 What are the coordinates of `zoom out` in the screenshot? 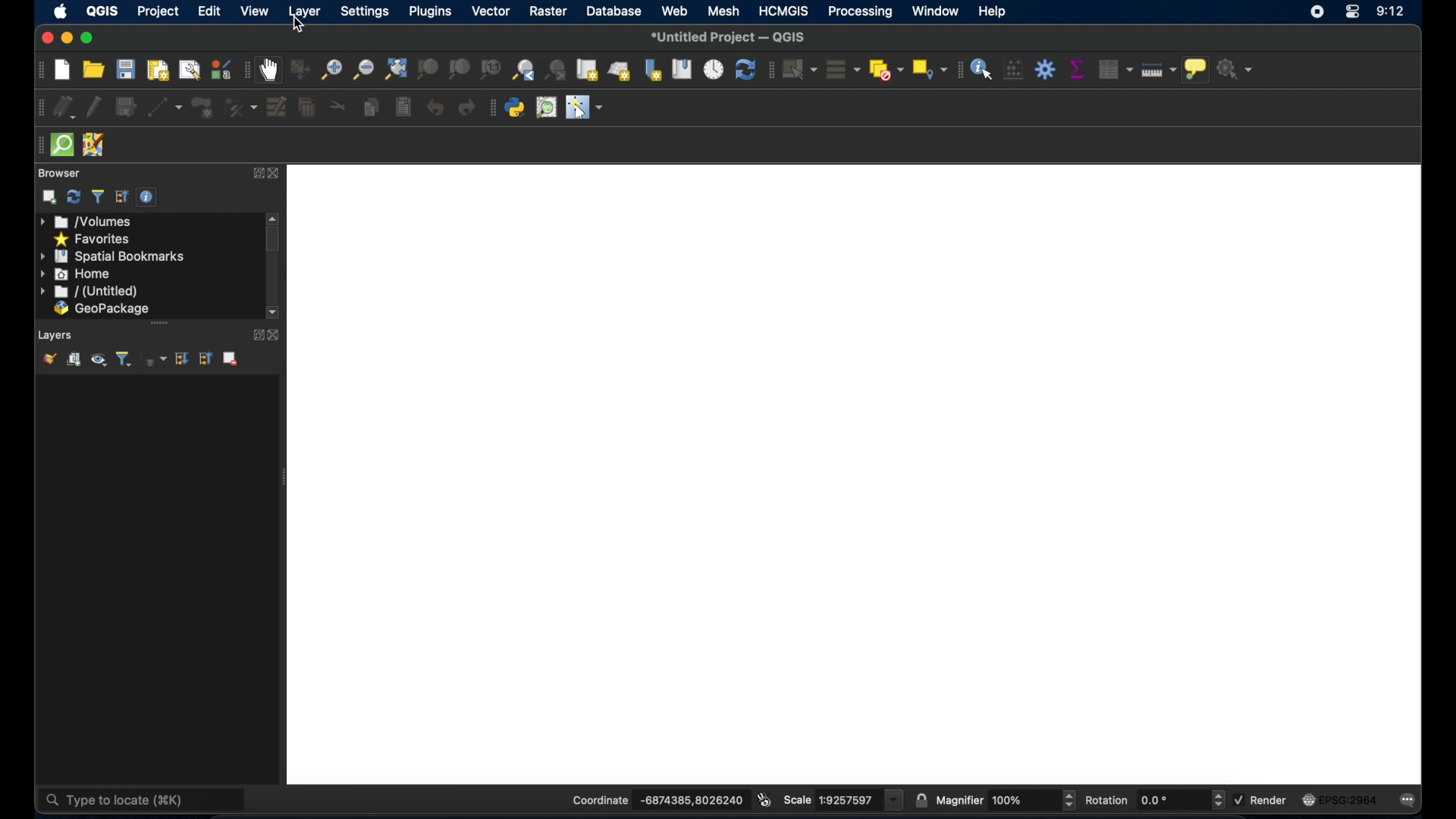 It's located at (362, 72).